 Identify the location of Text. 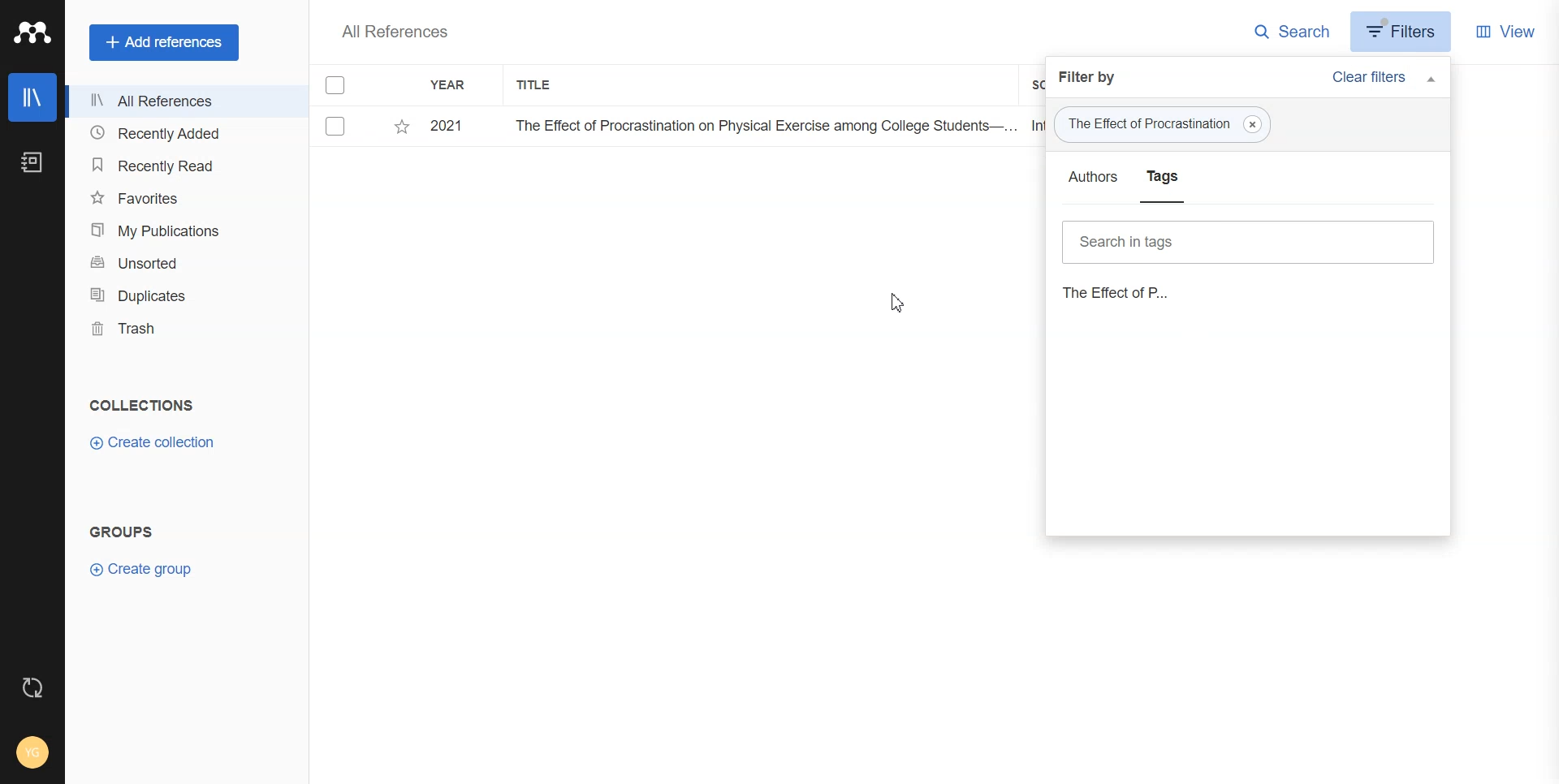
(395, 32).